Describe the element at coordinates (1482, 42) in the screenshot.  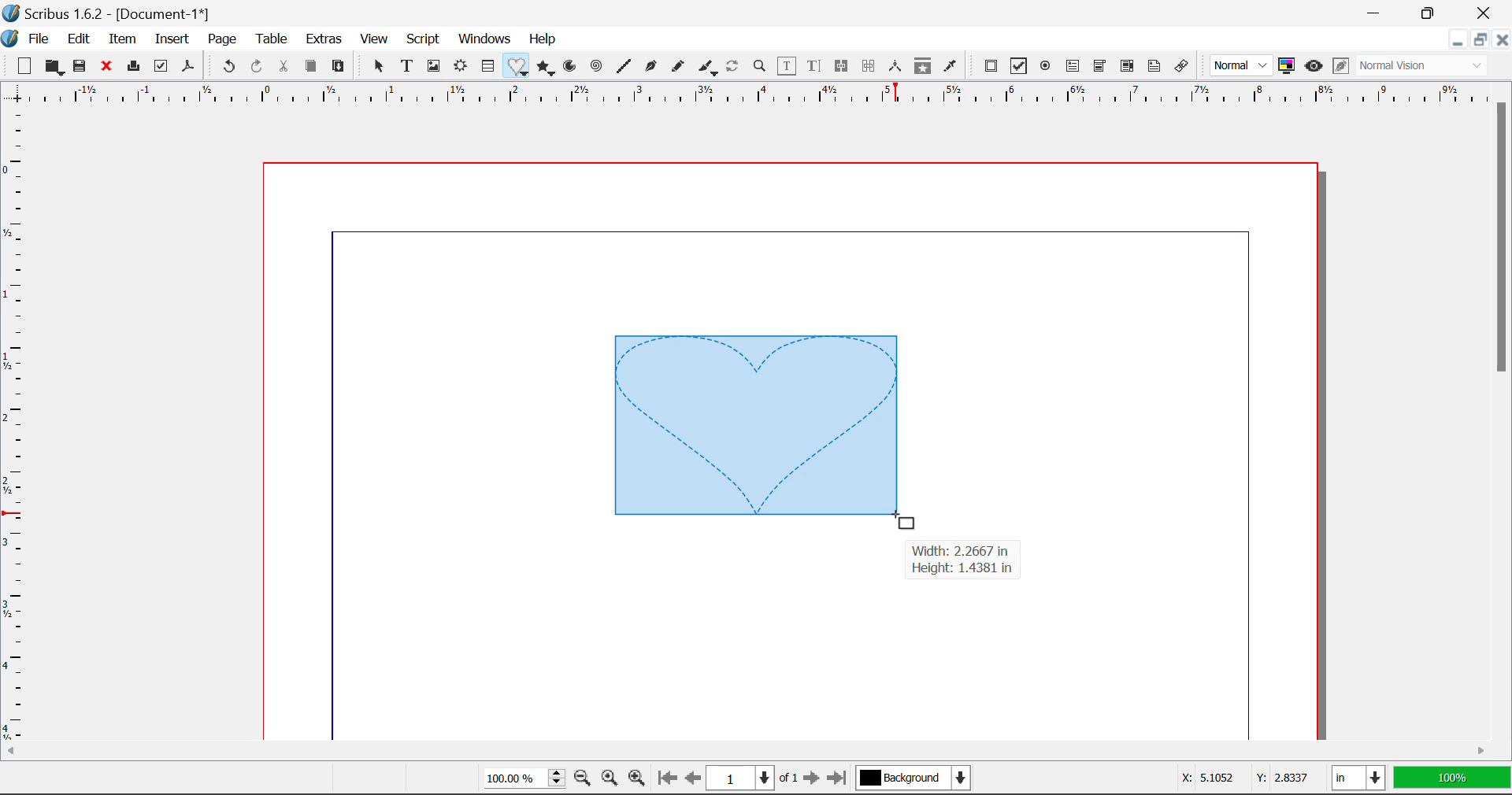
I see `Minimize` at that location.